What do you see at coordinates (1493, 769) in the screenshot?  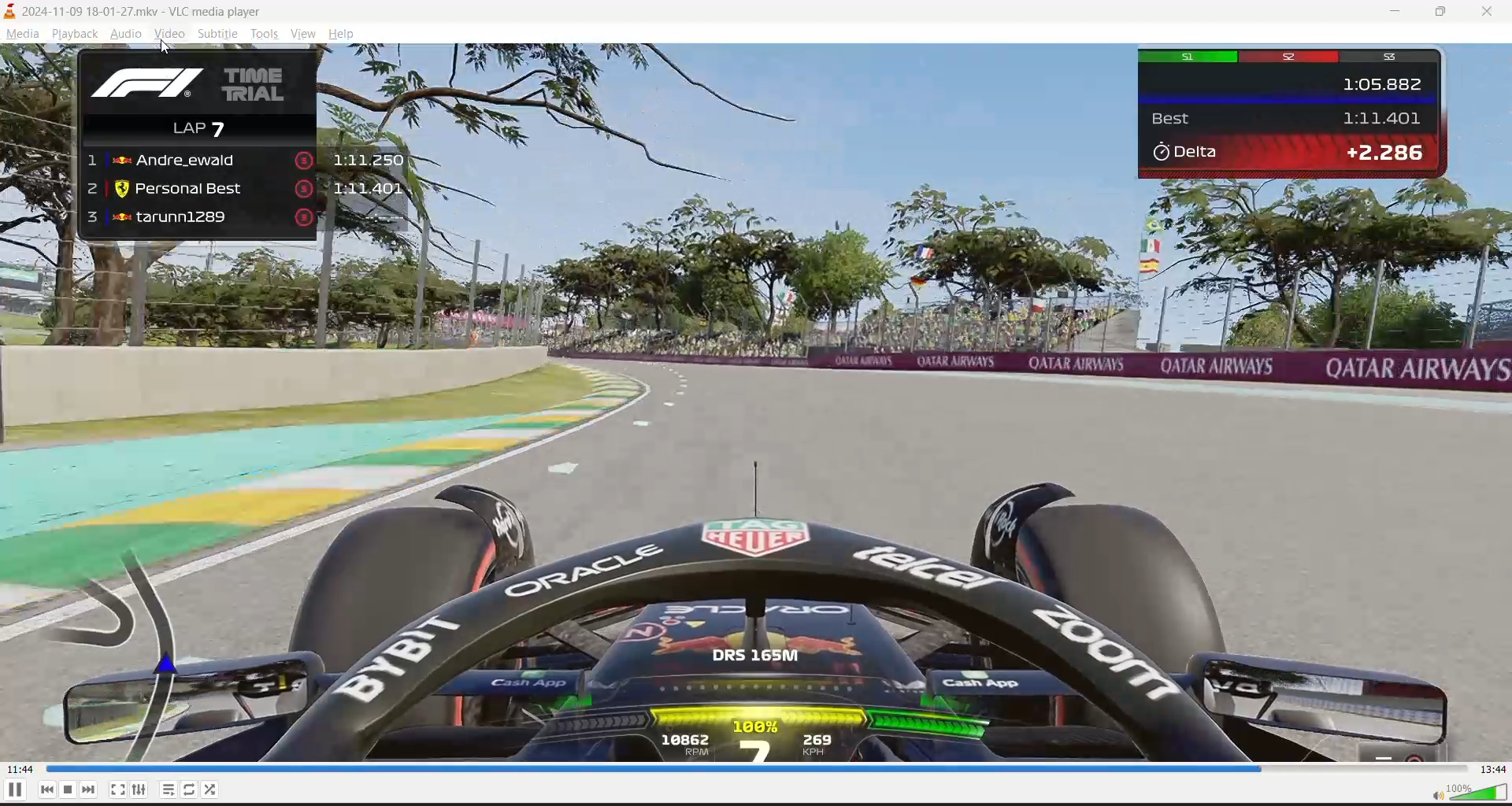 I see `total track time` at bounding box center [1493, 769].